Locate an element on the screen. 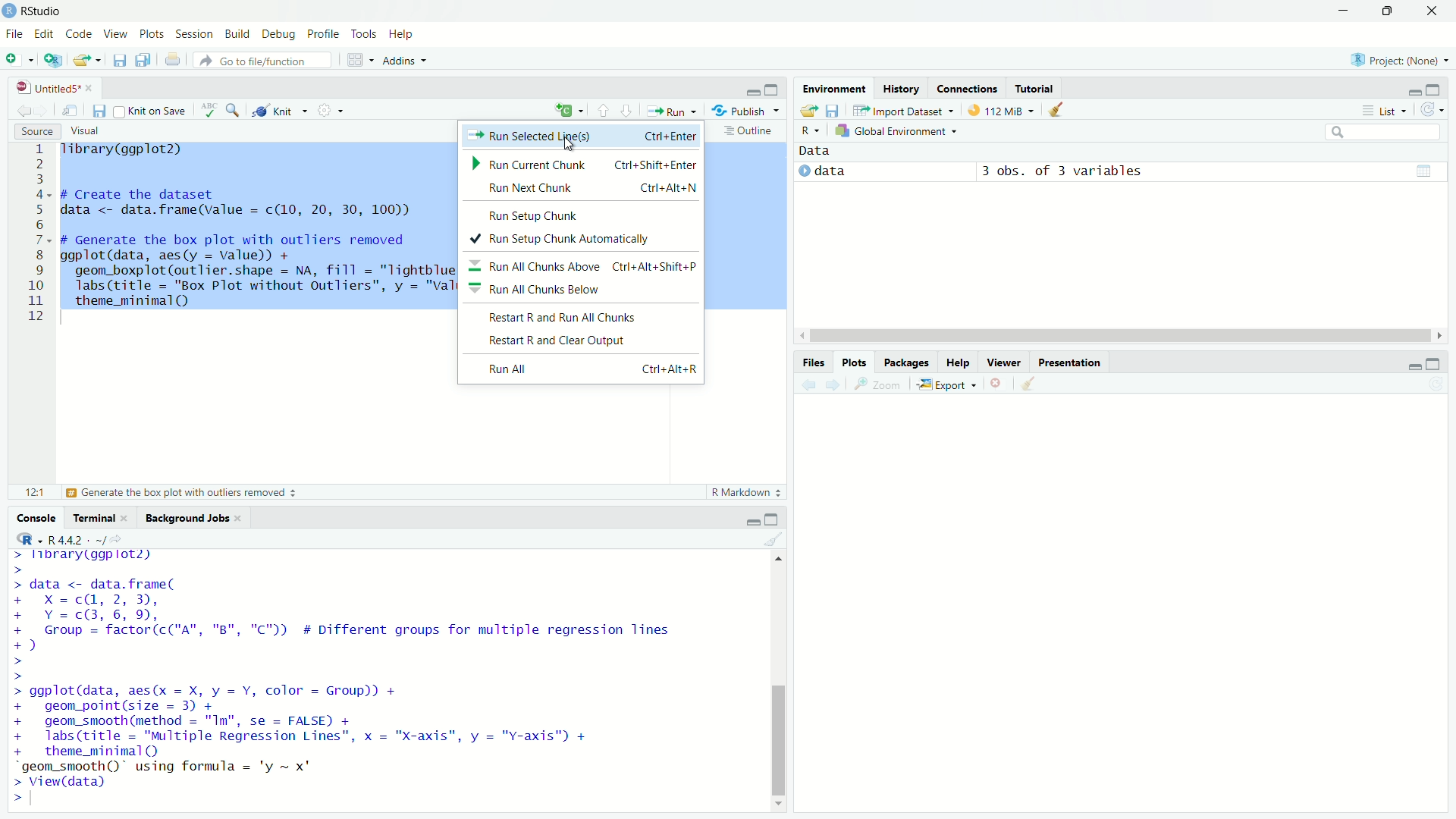 This screenshot has width=1456, height=819. files is located at coordinates (118, 61).